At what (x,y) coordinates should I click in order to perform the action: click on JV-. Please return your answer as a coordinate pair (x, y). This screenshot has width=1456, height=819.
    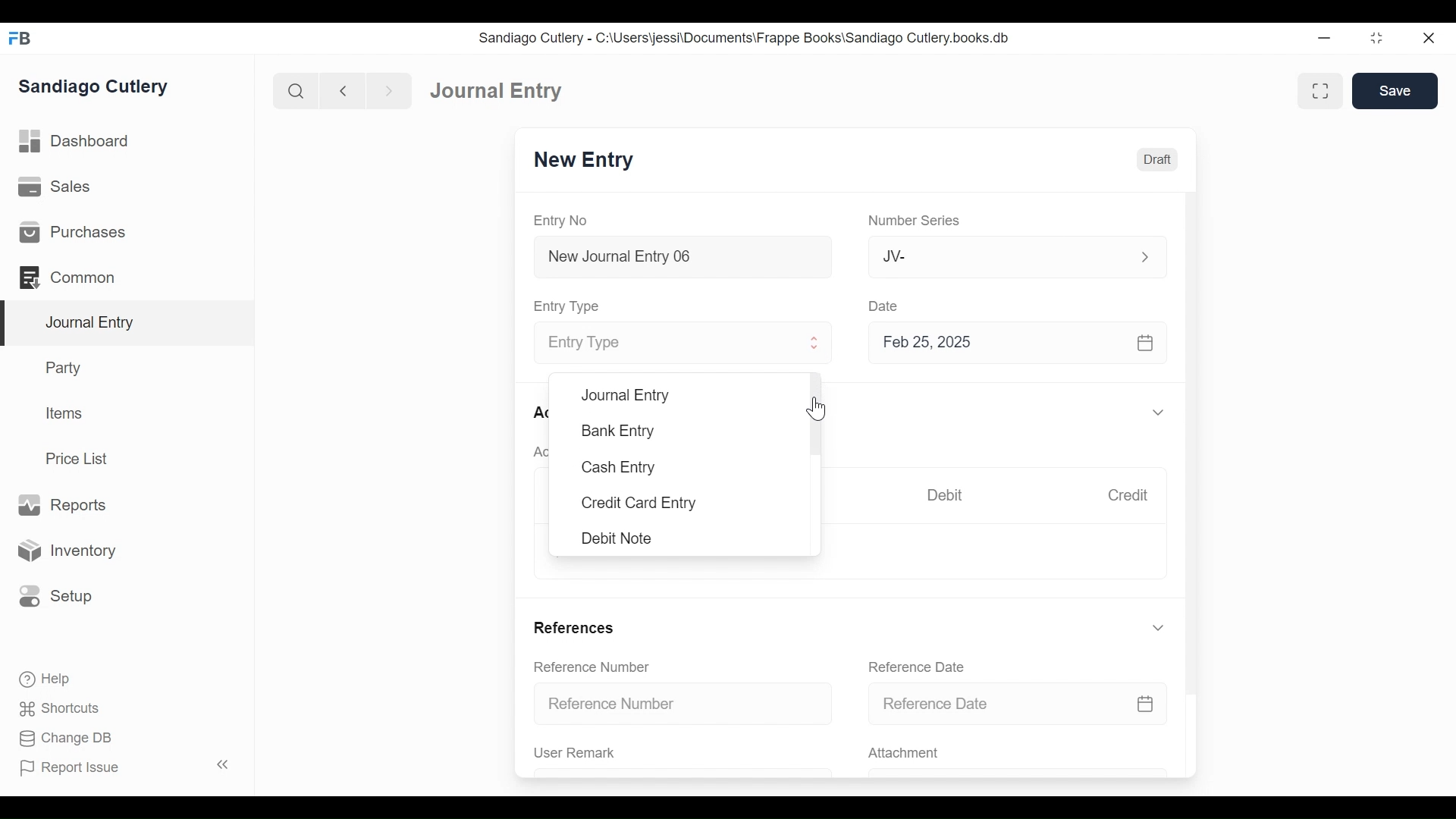
    Looking at the image, I should click on (999, 255).